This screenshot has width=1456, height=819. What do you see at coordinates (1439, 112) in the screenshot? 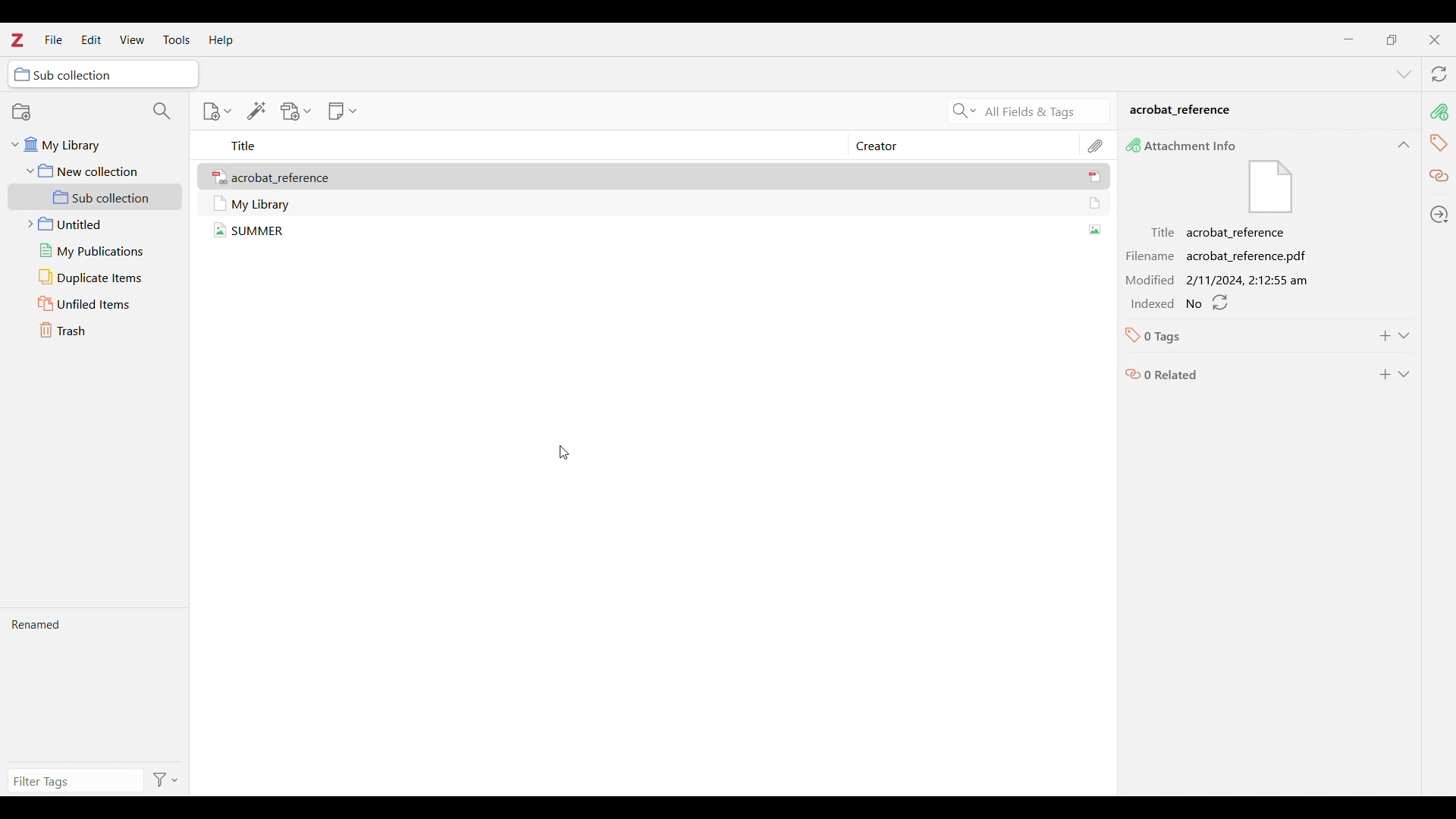
I see `Attachment info` at bounding box center [1439, 112].